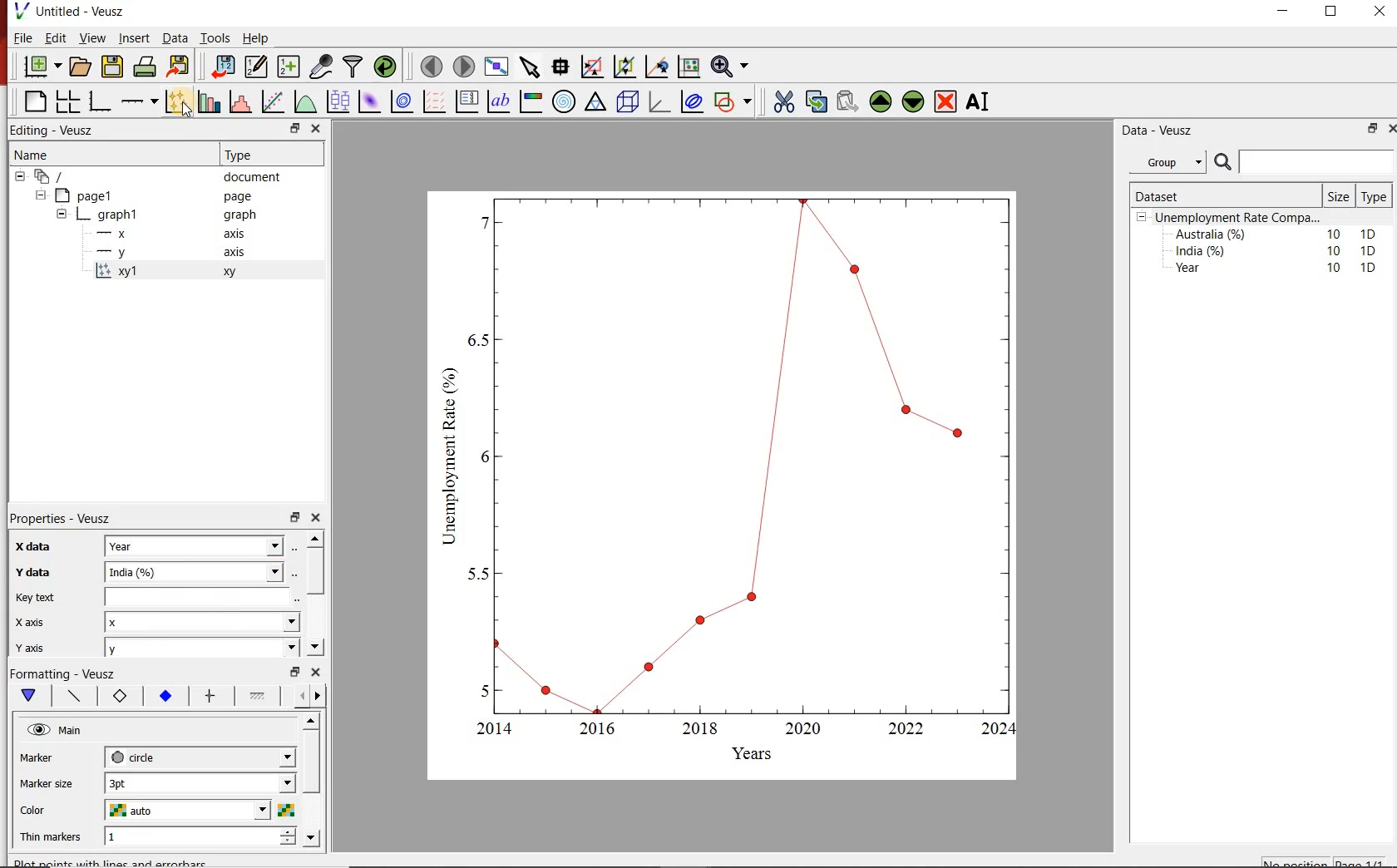 The image size is (1397, 868). Describe the element at coordinates (499, 101) in the screenshot. I see `text label` at that location.